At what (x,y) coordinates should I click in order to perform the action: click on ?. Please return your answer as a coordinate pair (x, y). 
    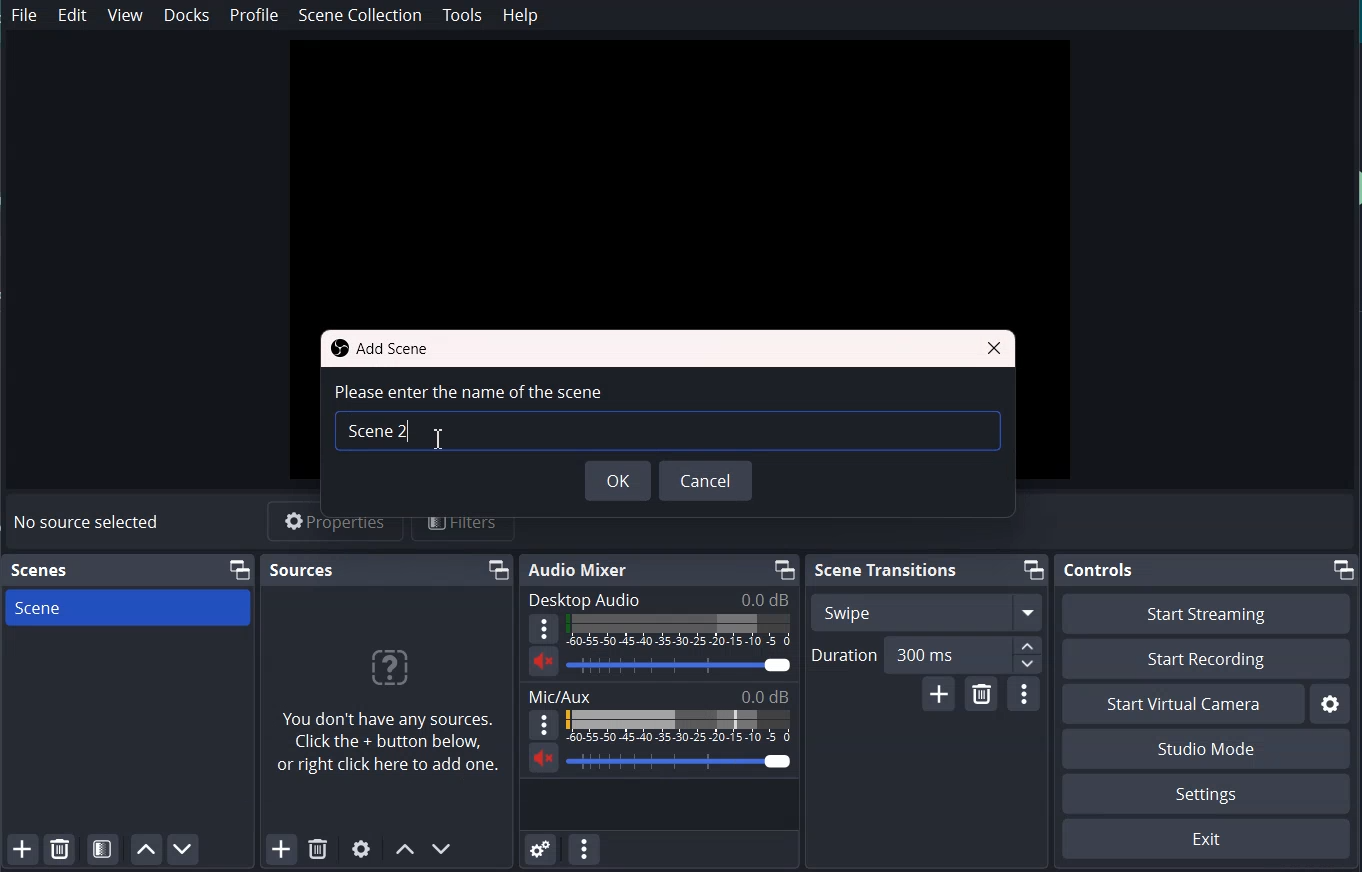
    Looking at the image, I should click on (387, 672).